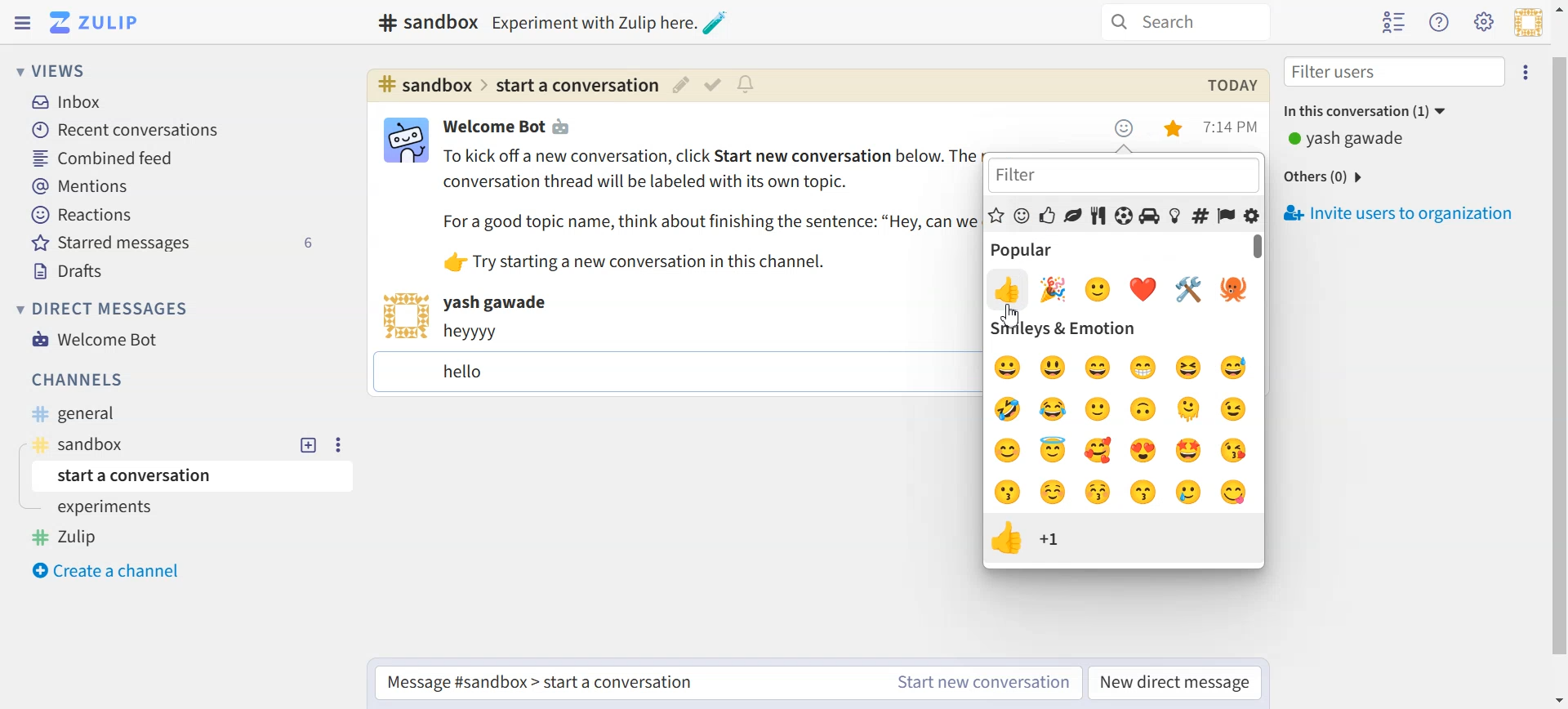  I want to click on Reactions, so click(83, 215).